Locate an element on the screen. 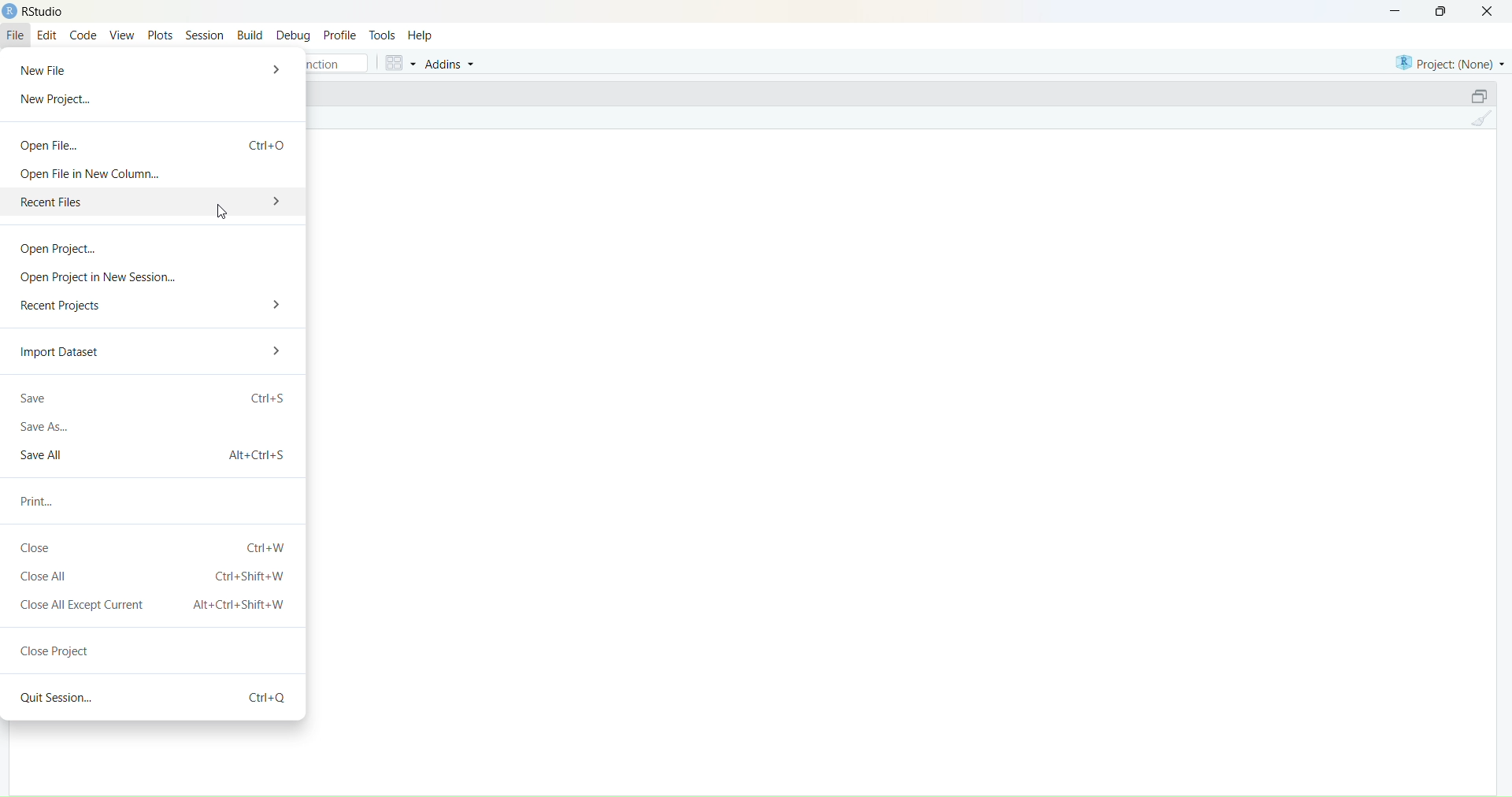  Workspace panes is located at coordinates (398, 62).